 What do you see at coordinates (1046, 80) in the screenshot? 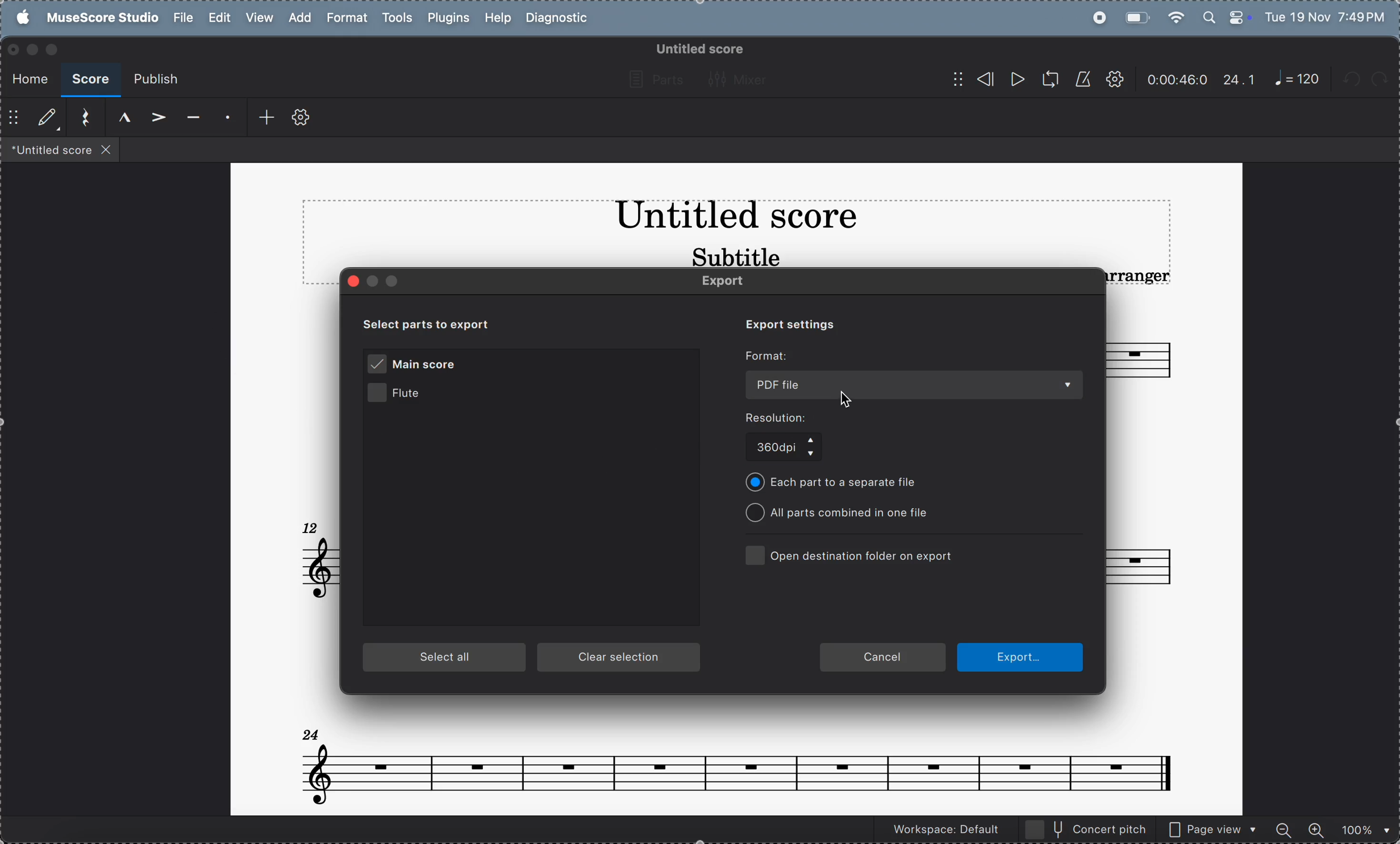
I see `loopback` at bounding box center [1046, 80].